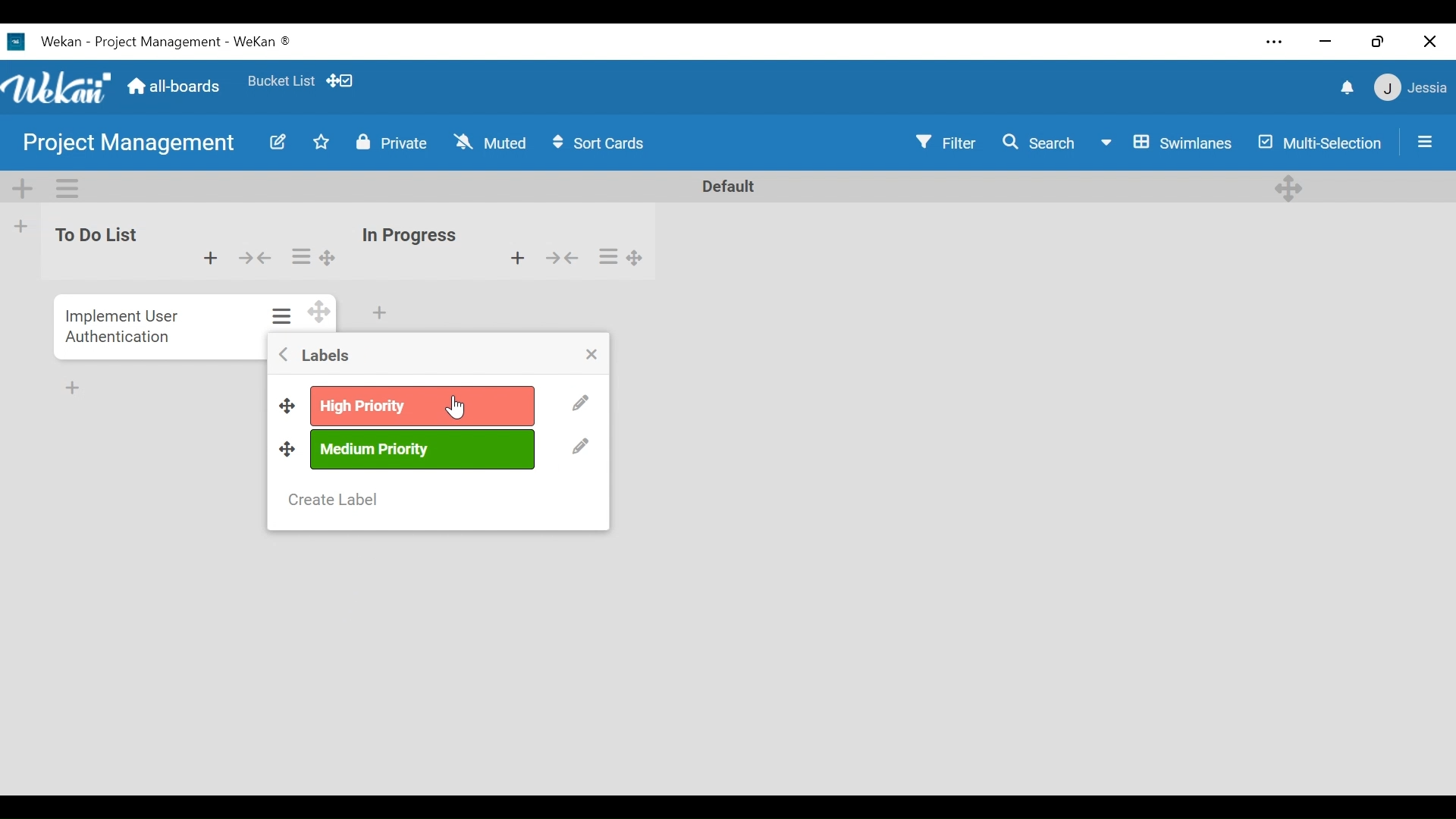 Image resolution: width=1456 pixels, height=819 pixels. Describe the element at coordinates (411, 236) in the screenshot. I see `In Progress` at that location.